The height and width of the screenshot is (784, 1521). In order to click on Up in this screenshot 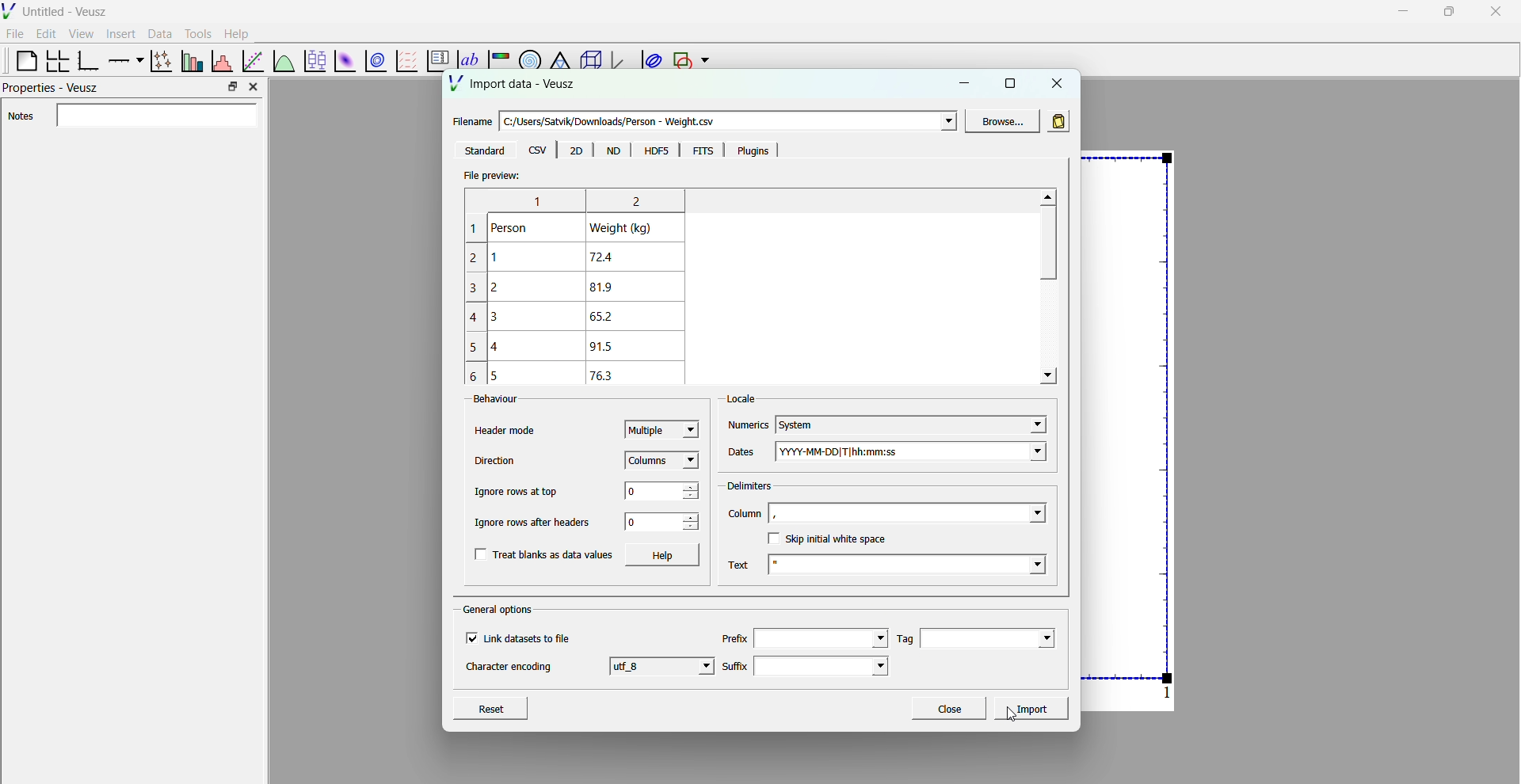, I will do `click(1047, 197)`.